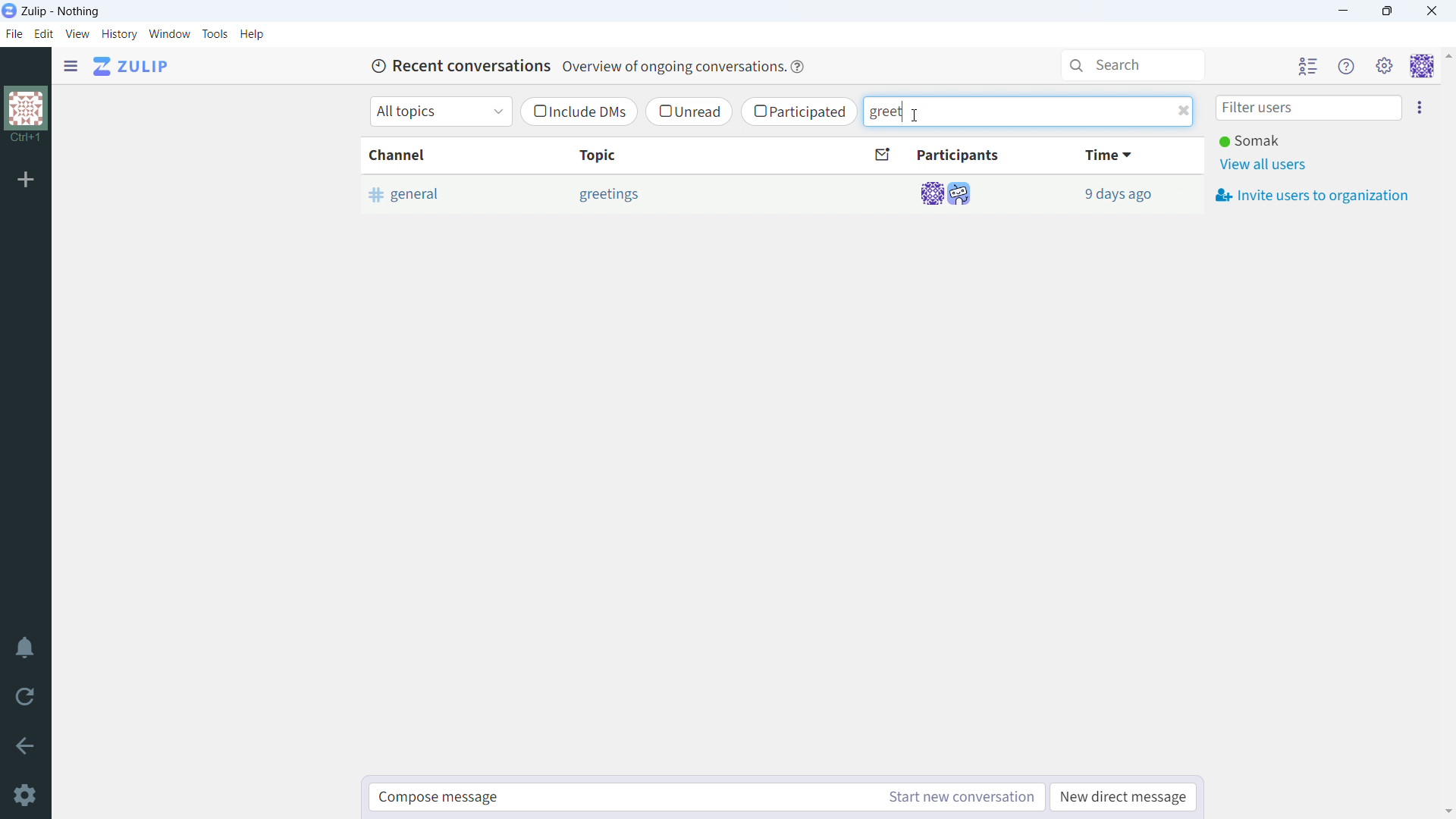  What do you see at coordinates (437, 193) in the screenshot?
I see `general` at bounding box center [437, 193].